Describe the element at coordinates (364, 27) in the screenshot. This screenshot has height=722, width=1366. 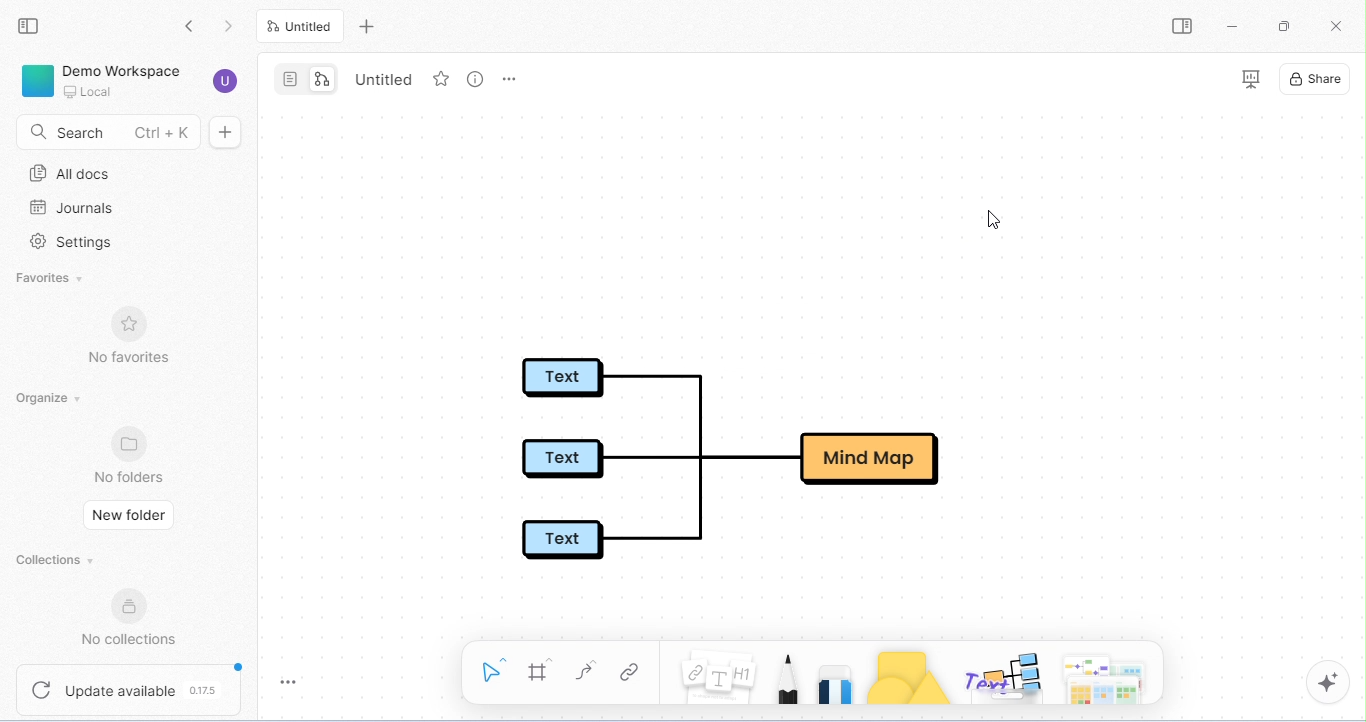
I see `new tab` at that location.